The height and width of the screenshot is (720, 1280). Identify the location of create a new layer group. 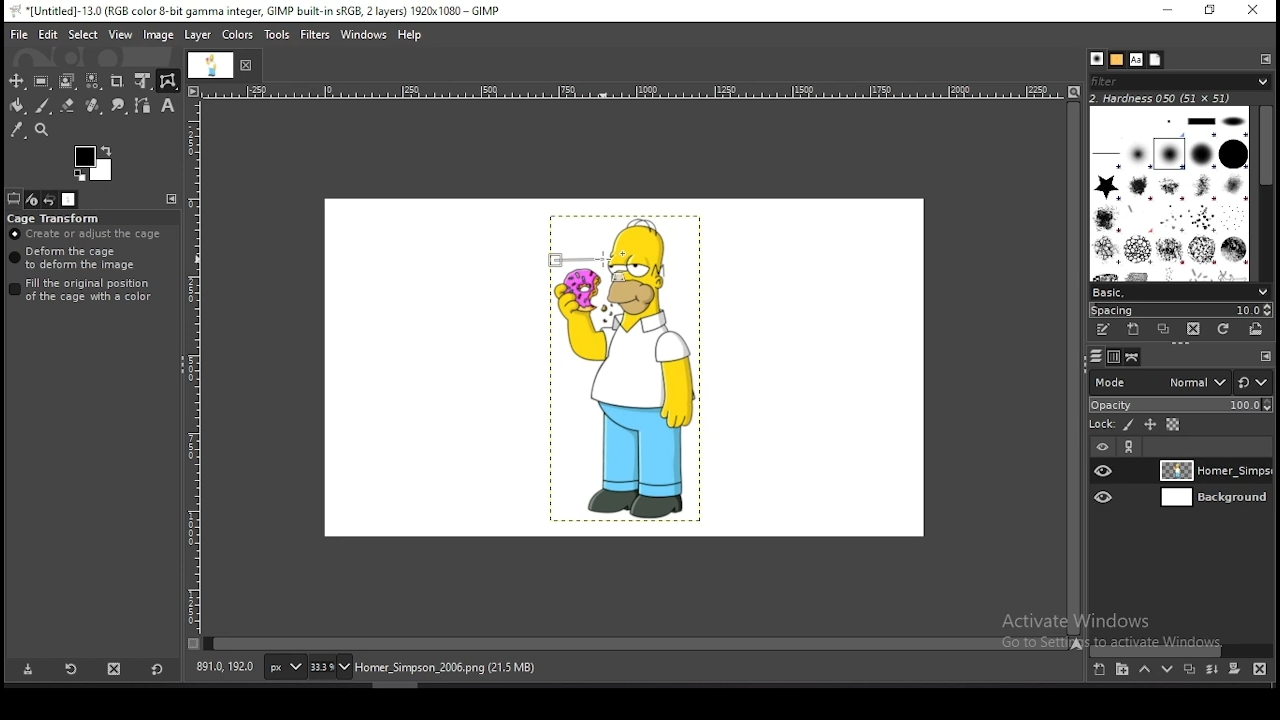
(1123, 670).